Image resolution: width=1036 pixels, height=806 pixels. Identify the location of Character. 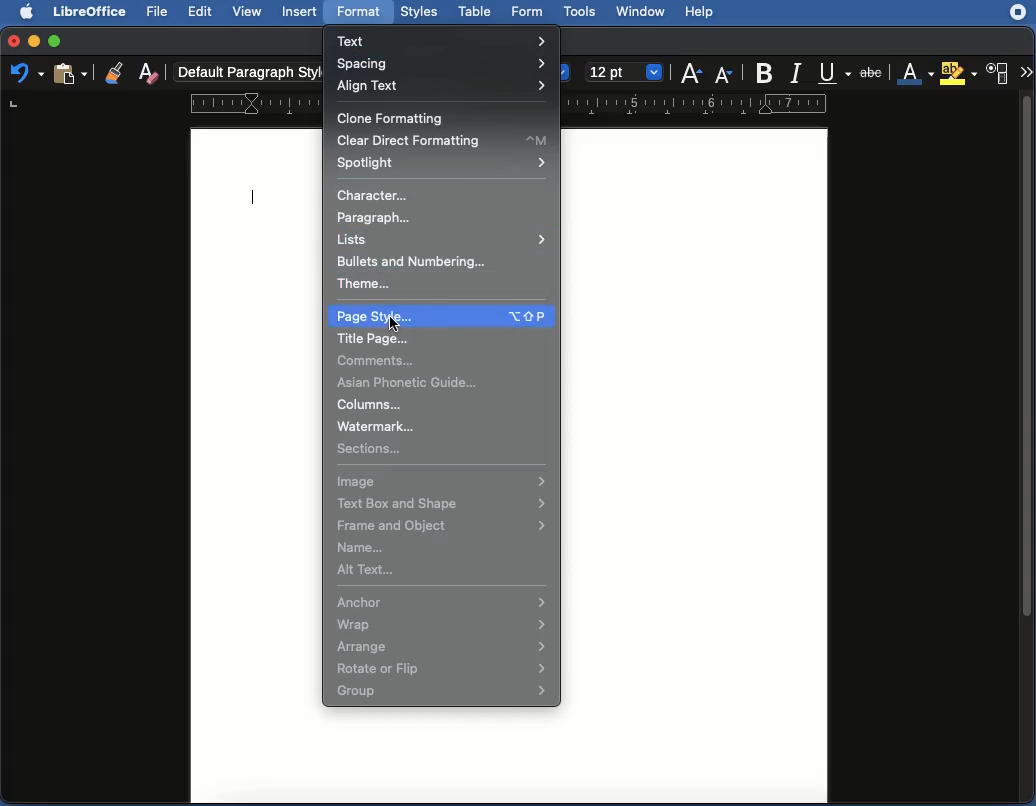
(376, 195).